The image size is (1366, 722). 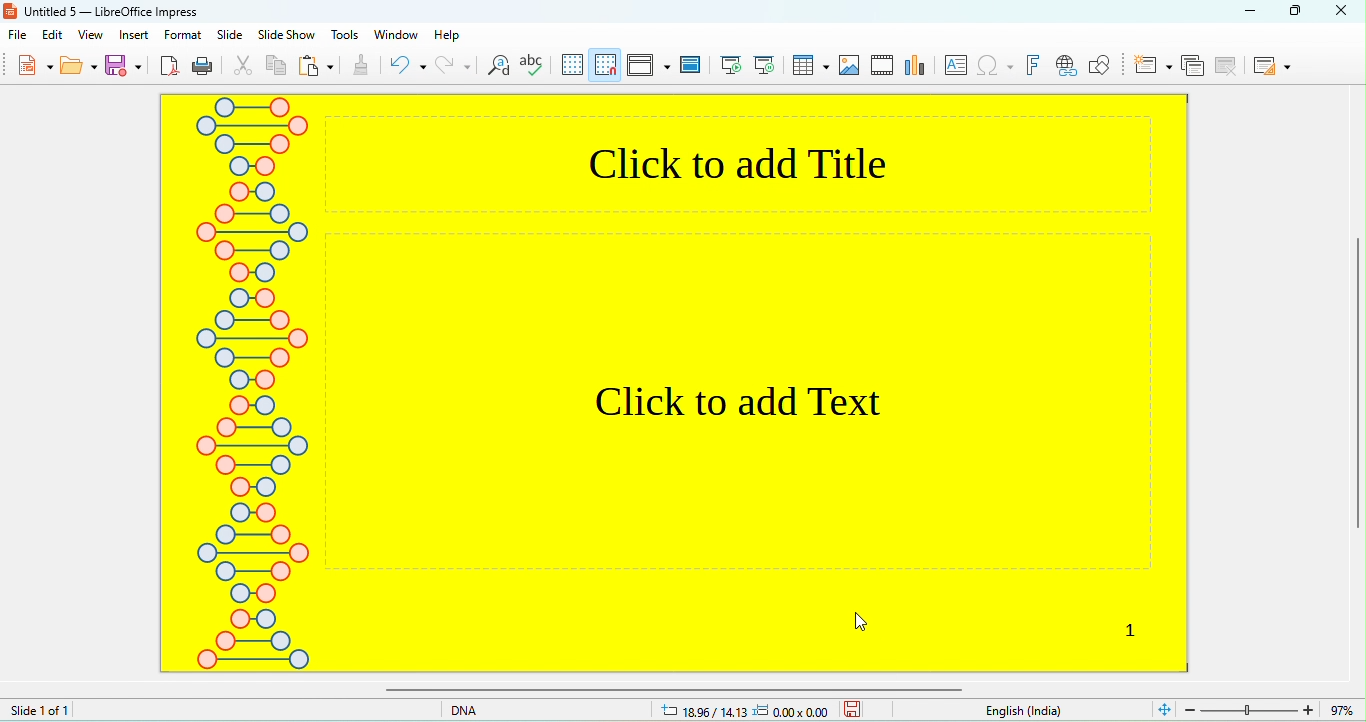 I want to click on snap to grid, so click(x=607, y=64).